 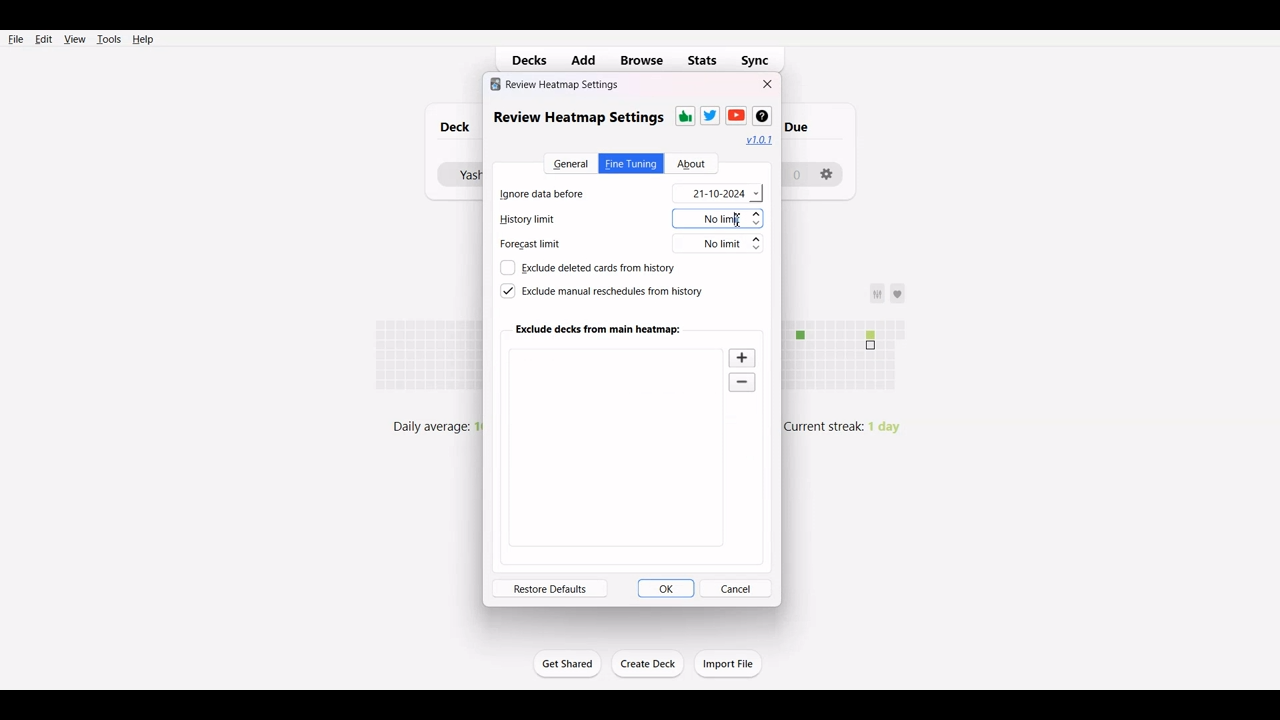 What do you see at coordinates (599, 329) in the screenshot?
I see `Exclude deck from main heatmap` at bounding box center [599, 329].